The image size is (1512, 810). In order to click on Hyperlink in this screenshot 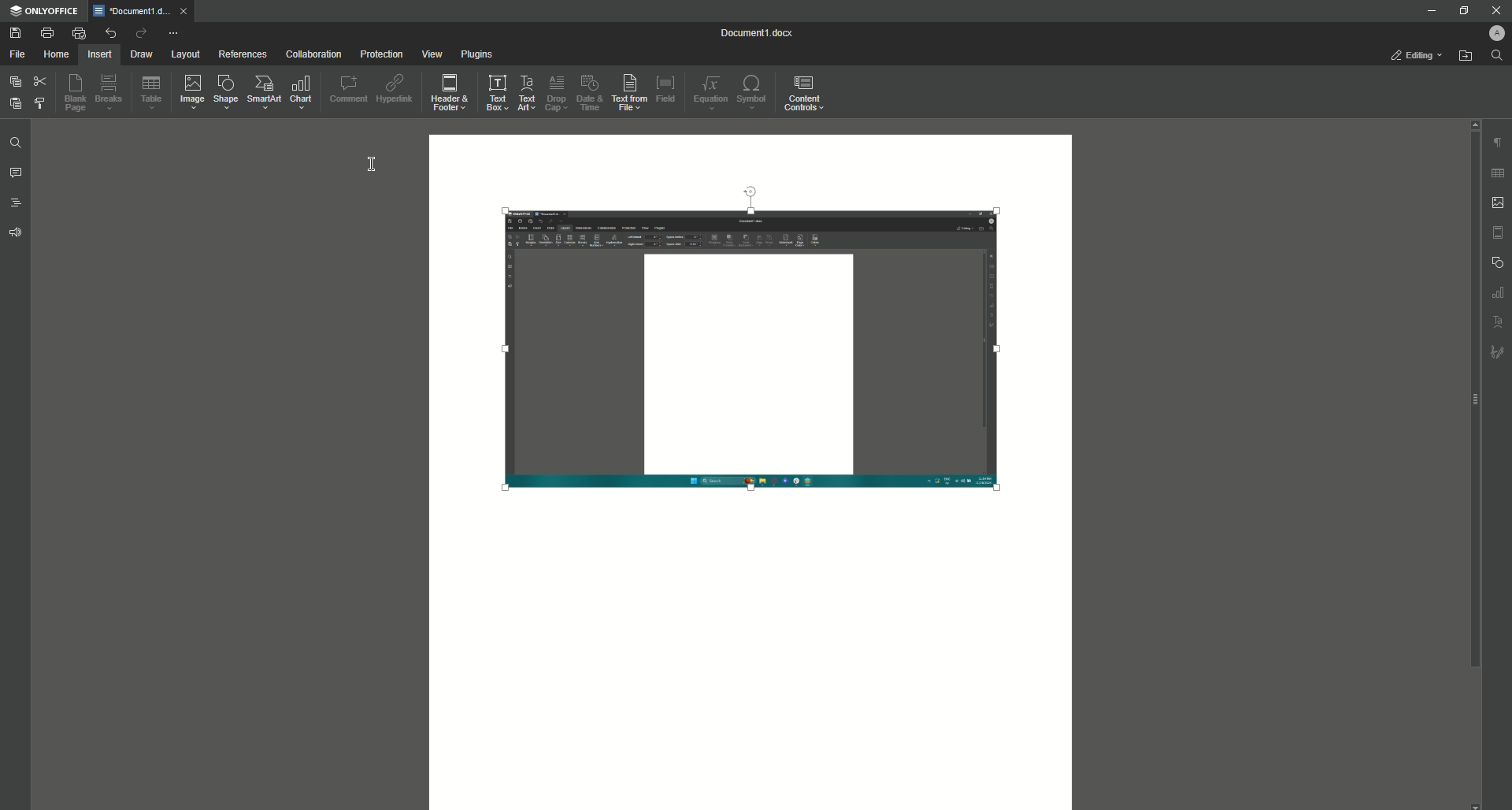, I will do `click(398, 89)`.